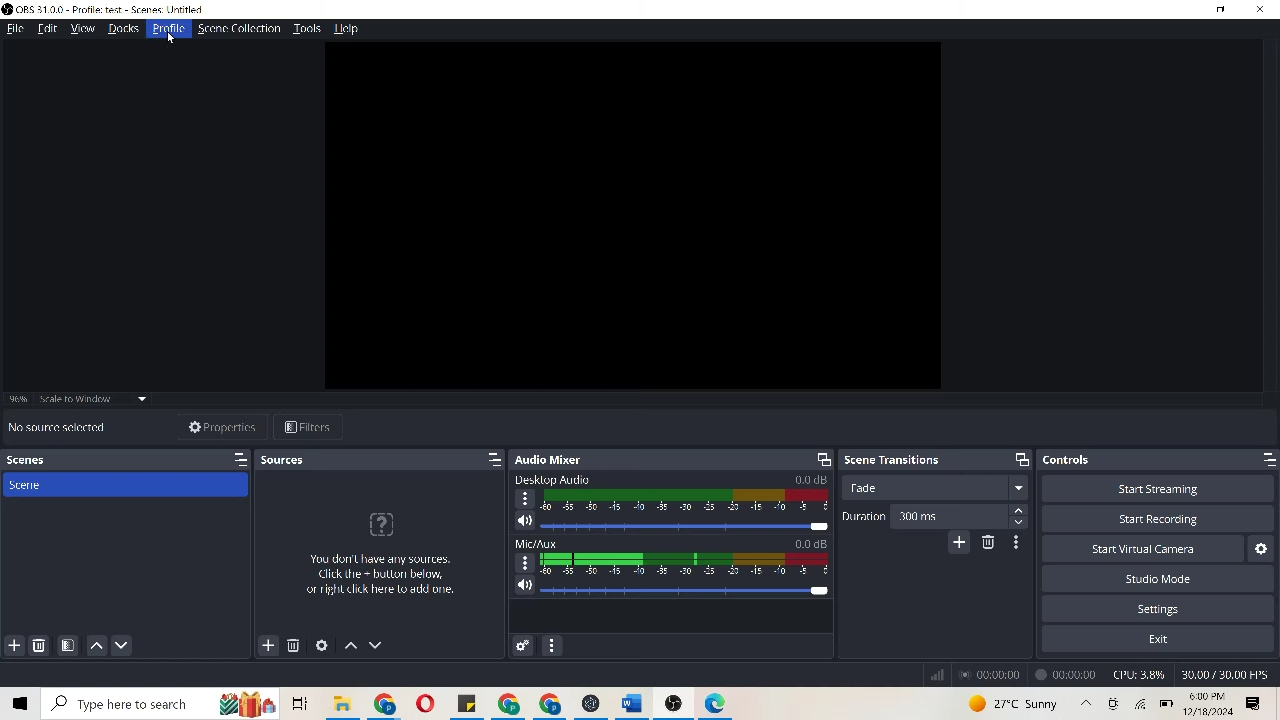  What do you see at coordinates (293, 647) in the screenshot?
I see `remove` at bounding box center [293, 647].